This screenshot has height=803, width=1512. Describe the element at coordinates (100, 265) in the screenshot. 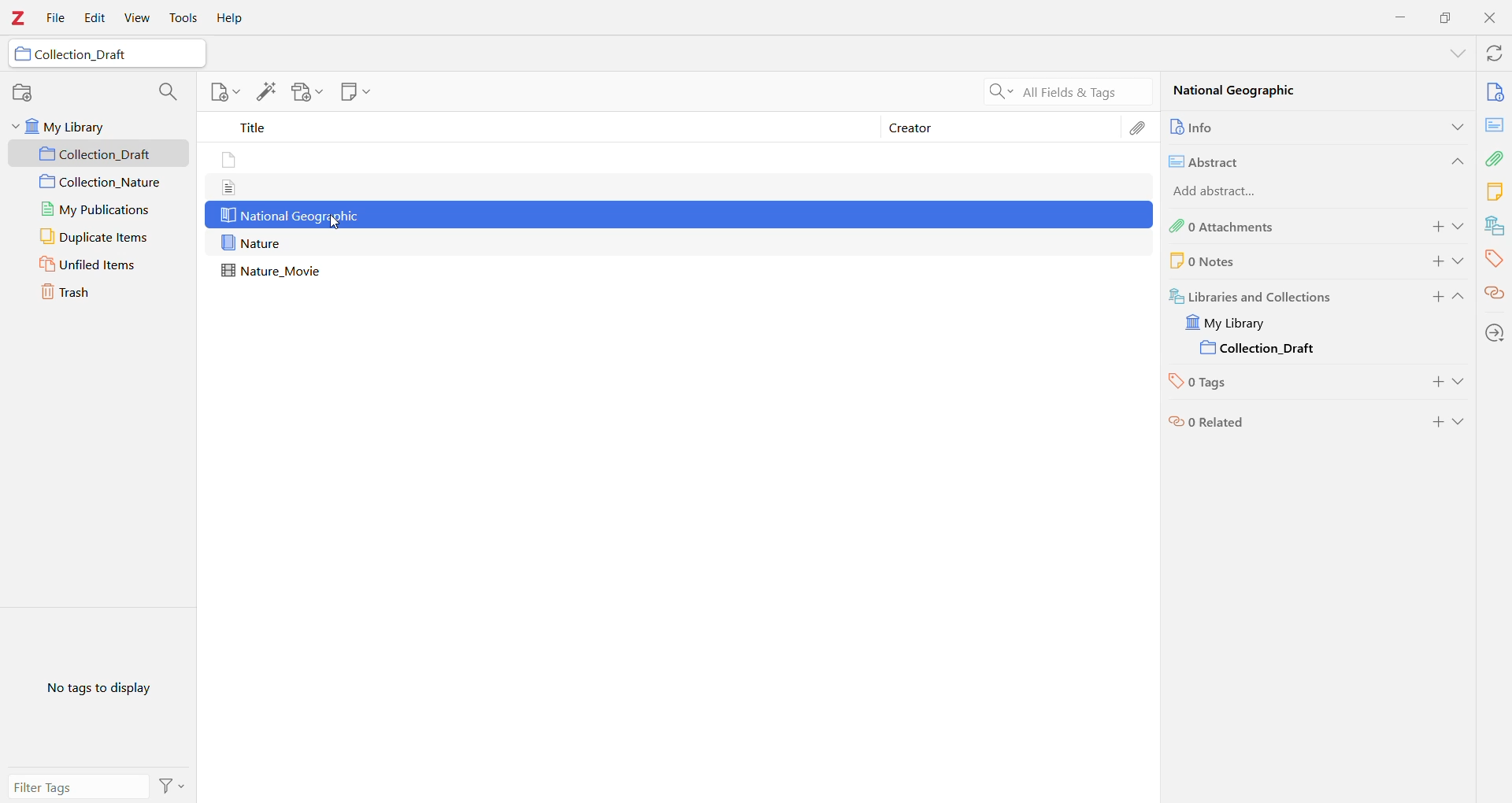

I see `Unfiled Items` at that location.